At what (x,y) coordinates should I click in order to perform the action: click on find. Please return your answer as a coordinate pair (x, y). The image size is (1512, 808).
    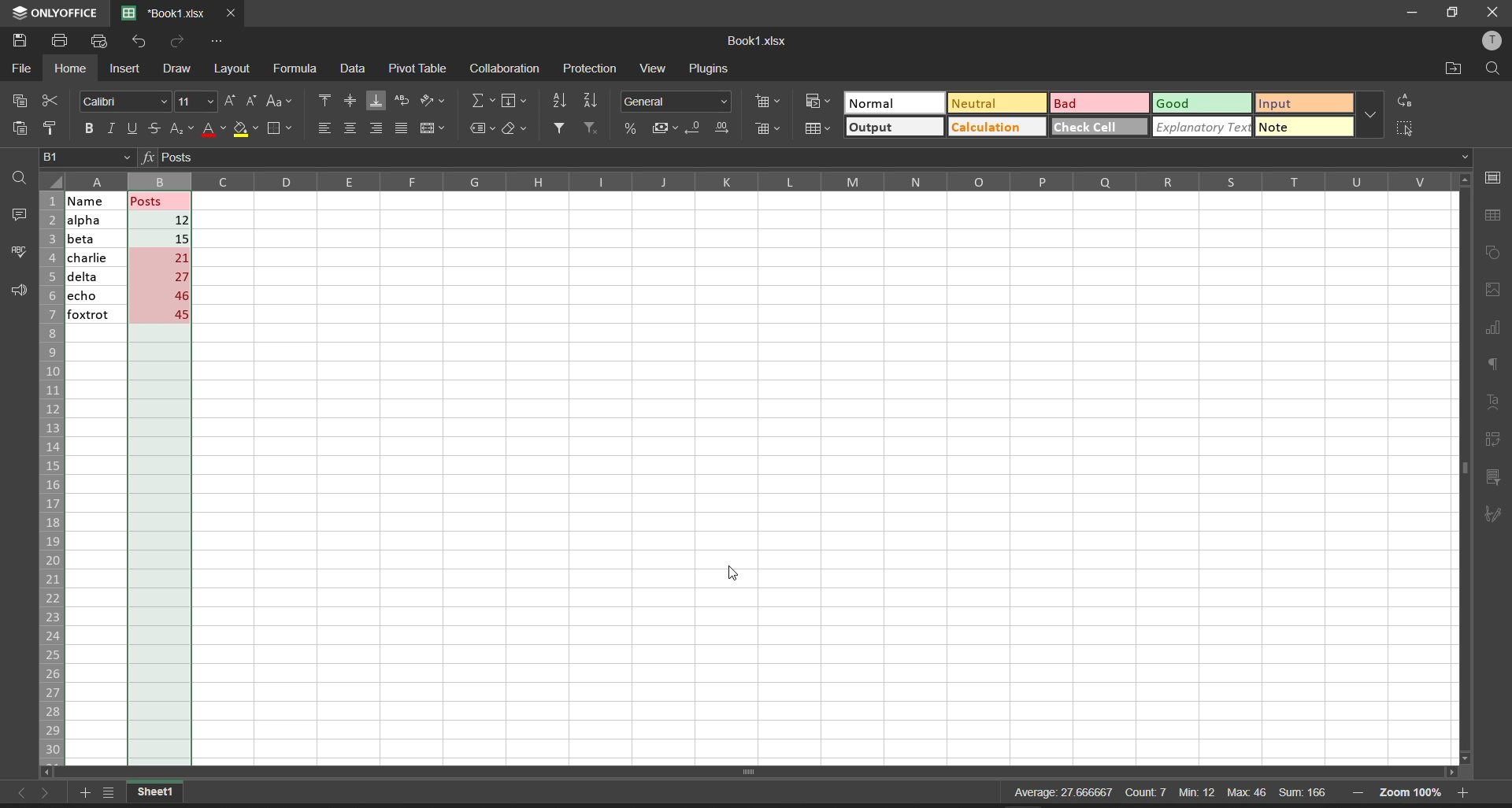
    Looking at the image, I should click on (22, 178).